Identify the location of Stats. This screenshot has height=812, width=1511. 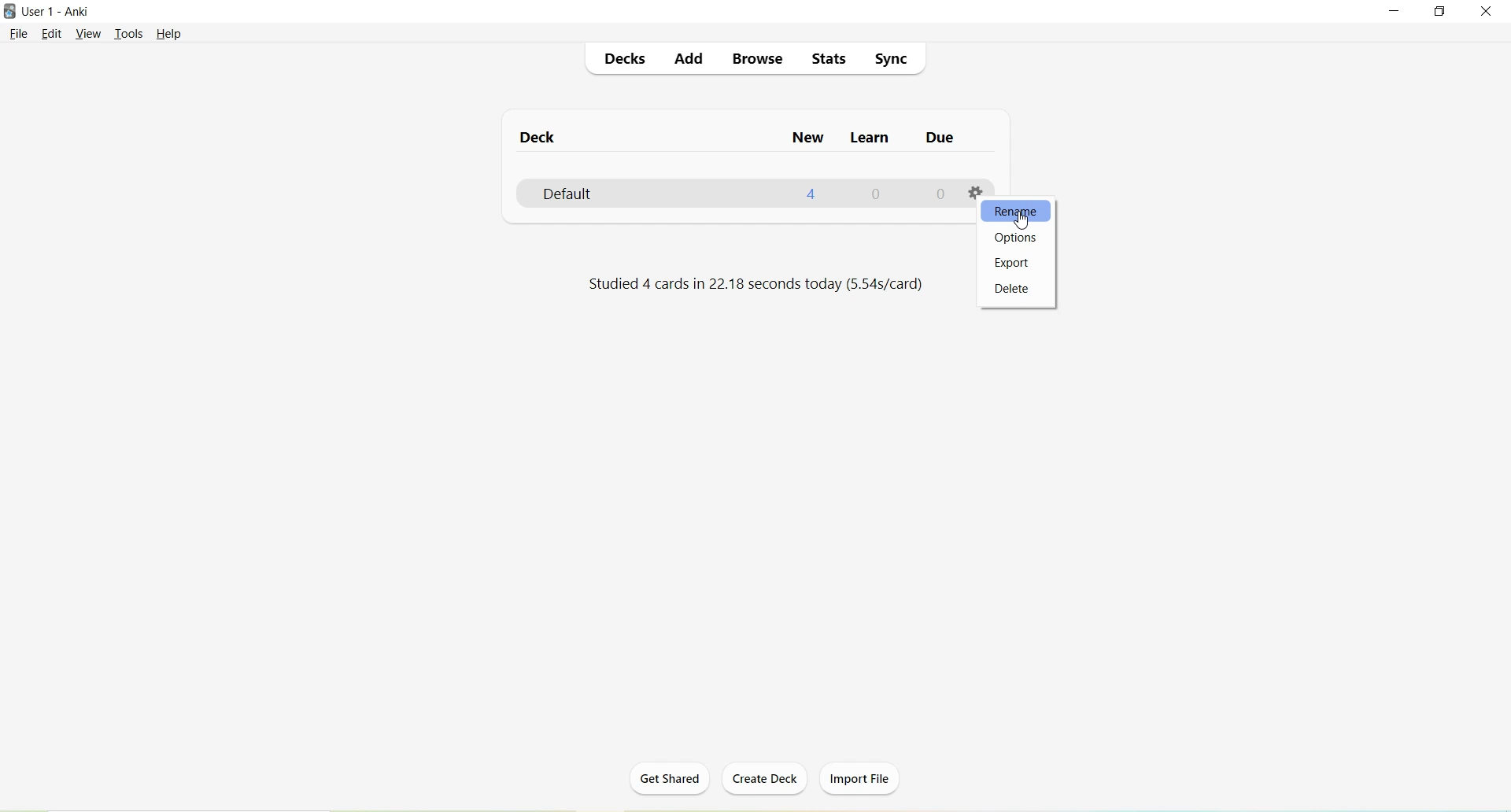
(829, 58).